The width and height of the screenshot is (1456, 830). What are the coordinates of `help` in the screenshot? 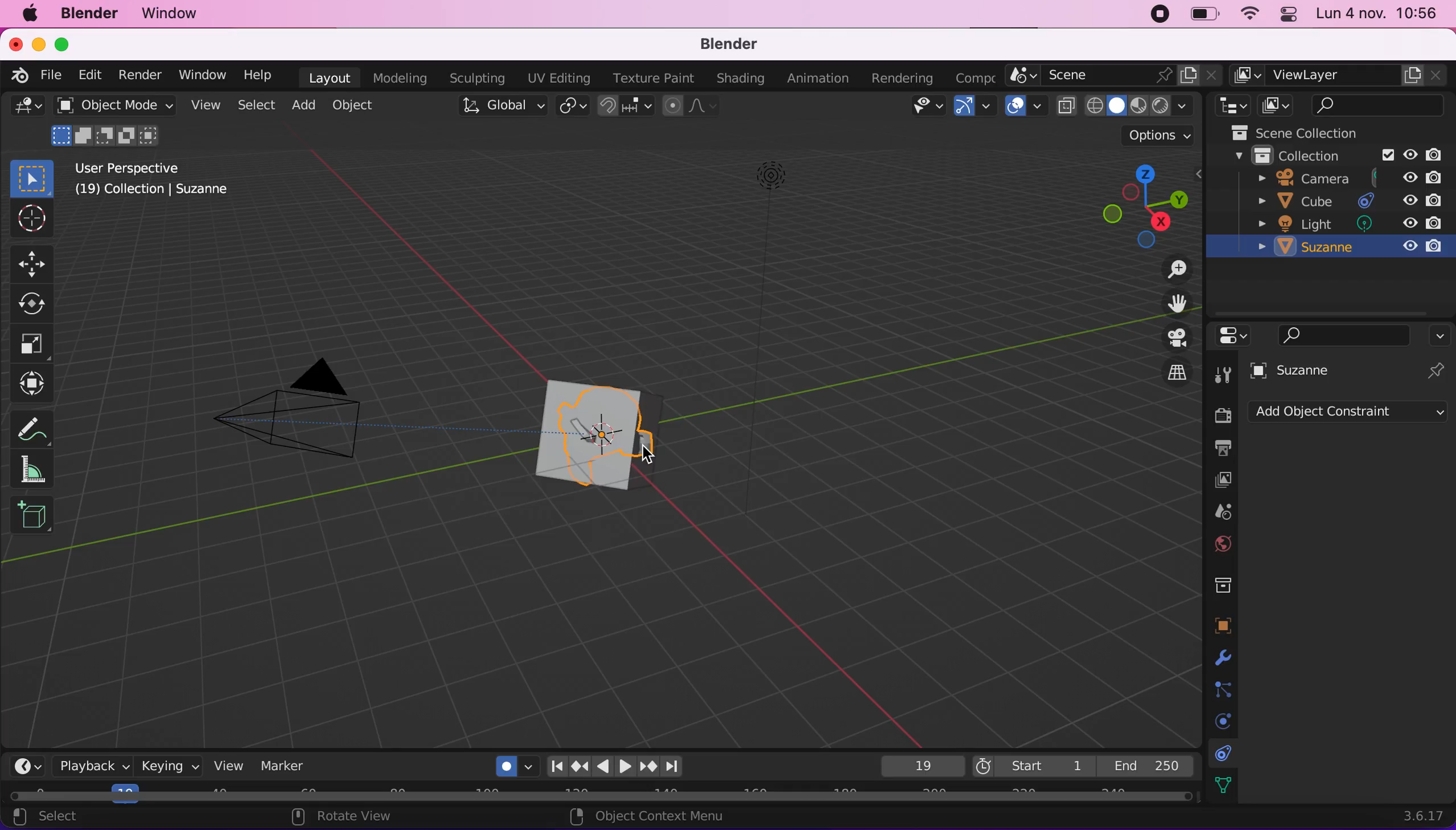 It's located at (260, 75).